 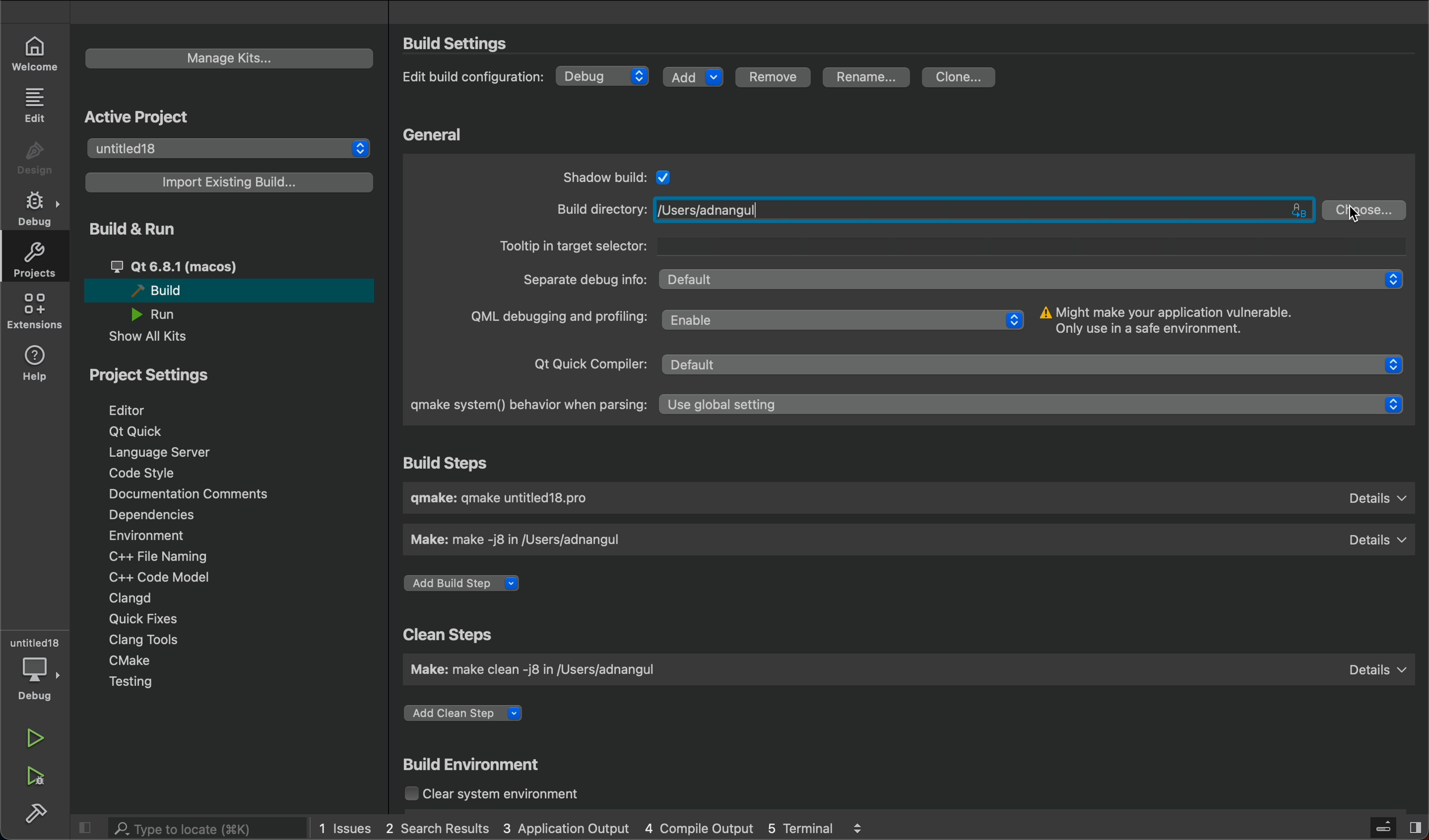 I want to click on add build step, so click(x=468, y=585).